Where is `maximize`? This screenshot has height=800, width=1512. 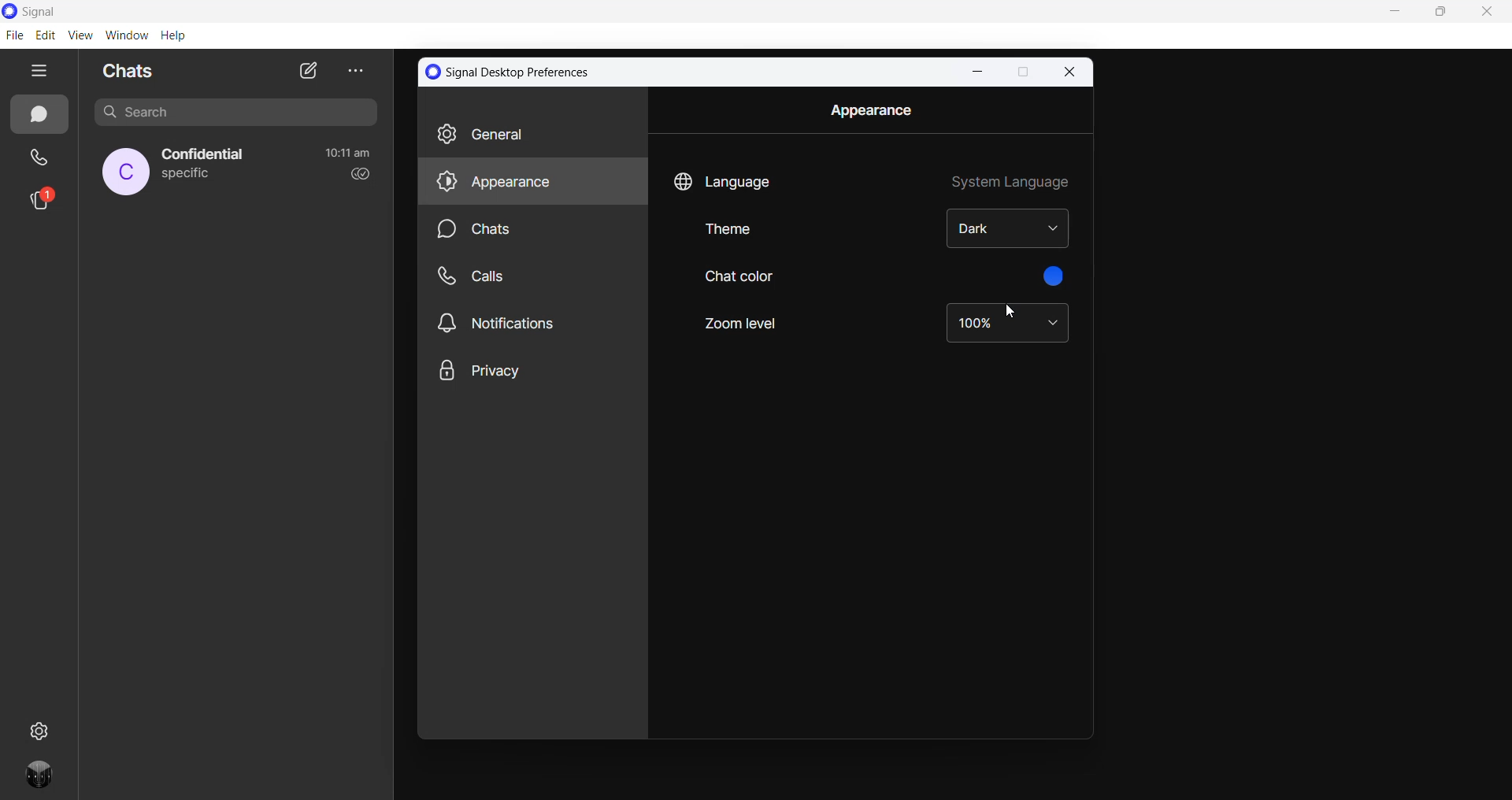
maximize is located at coordinates (1021, 73).